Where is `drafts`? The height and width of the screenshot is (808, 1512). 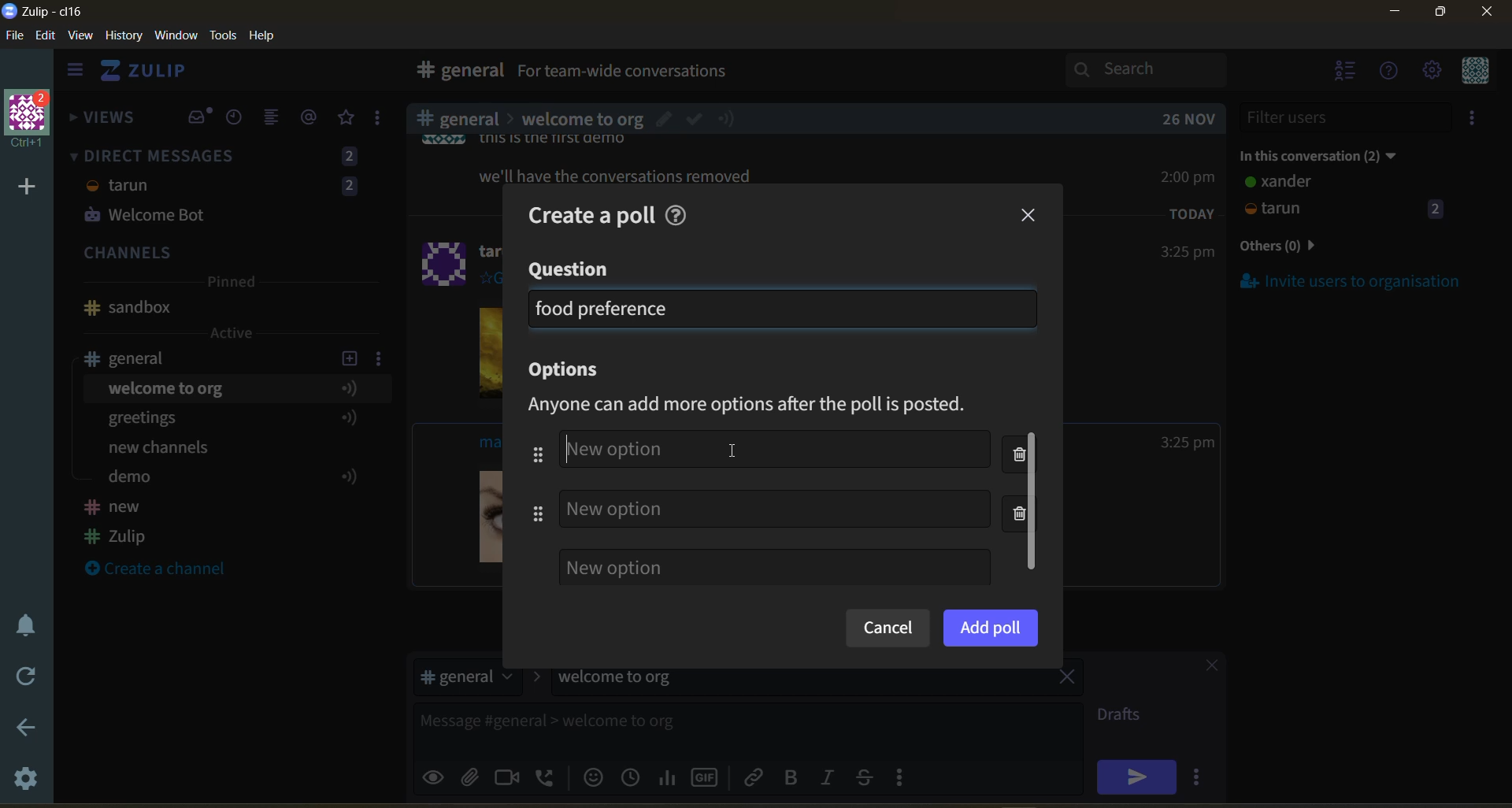 drafts is located at coordinates (1125, 717).